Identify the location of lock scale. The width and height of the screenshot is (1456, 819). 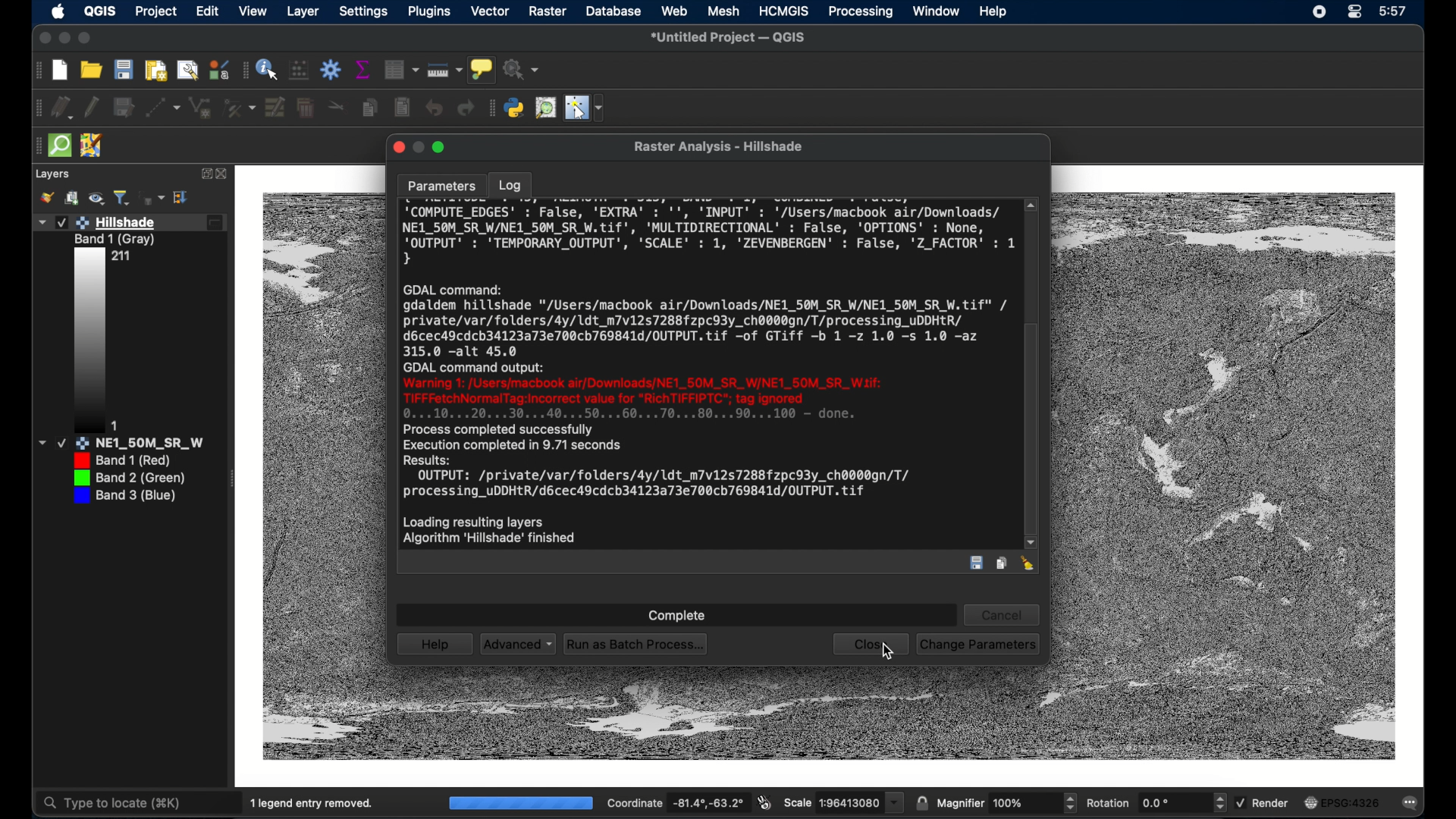
(921, 804).